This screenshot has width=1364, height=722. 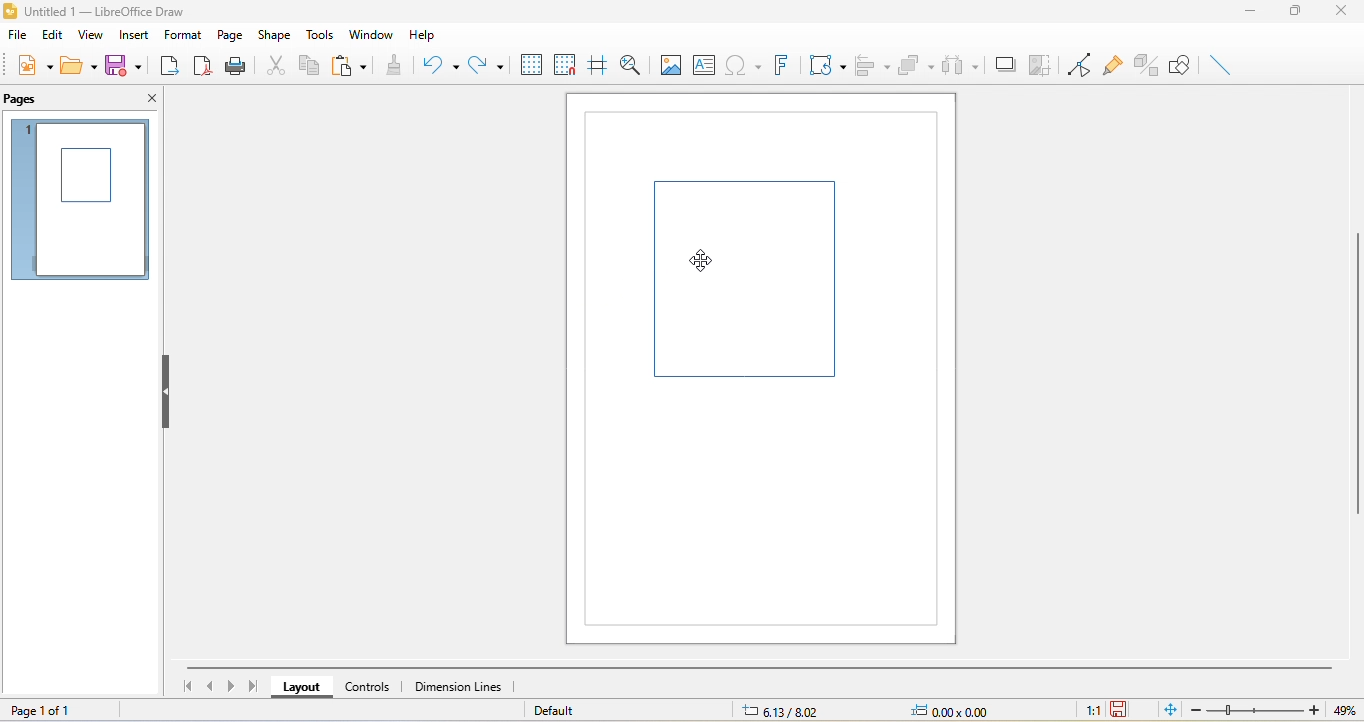 What do you see at coordinates (123, 64) in the screenshot?
I see `save` at bounding box center [123, 64].